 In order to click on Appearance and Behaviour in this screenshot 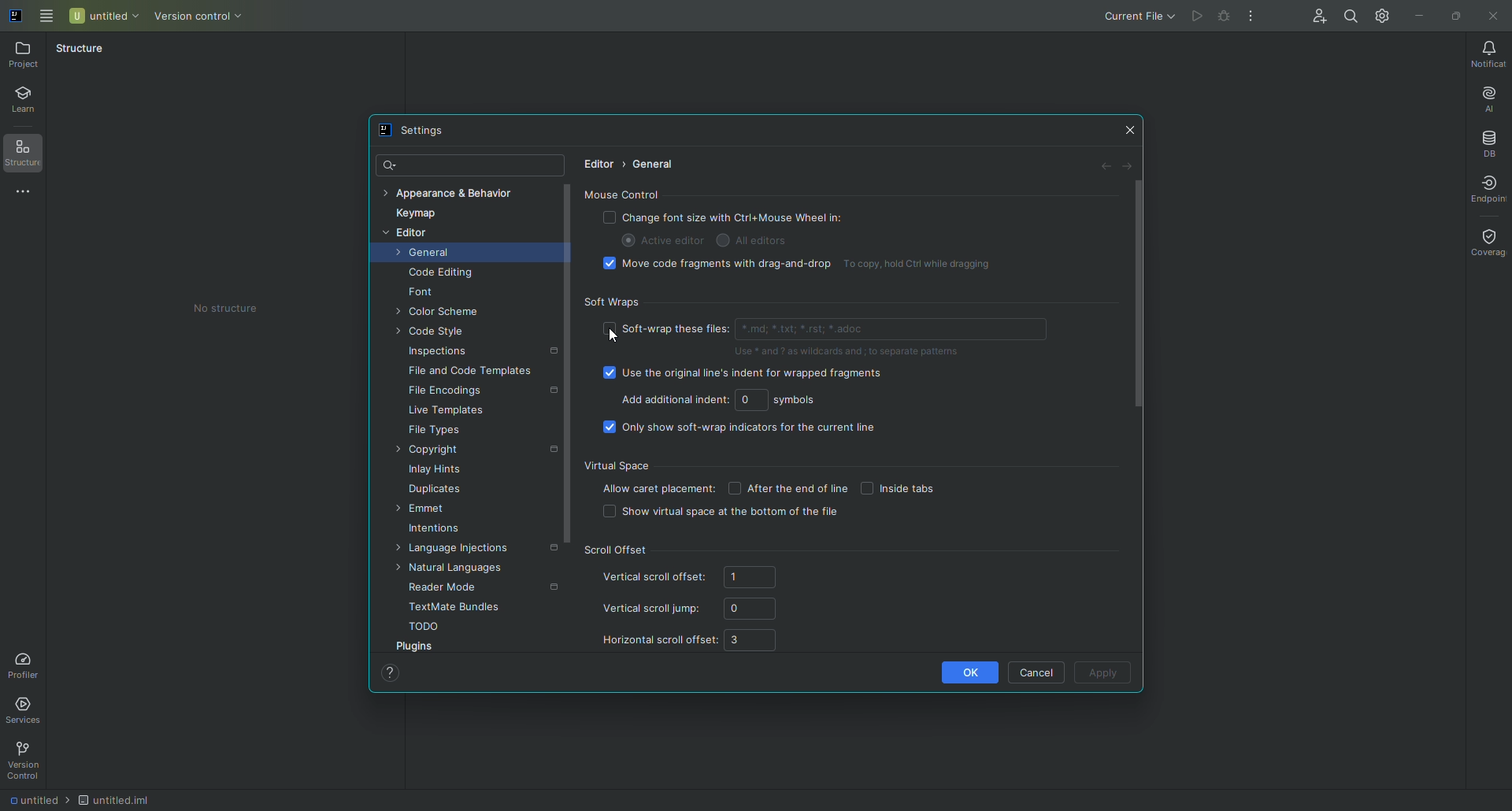, I will do `click(459, 192)`.